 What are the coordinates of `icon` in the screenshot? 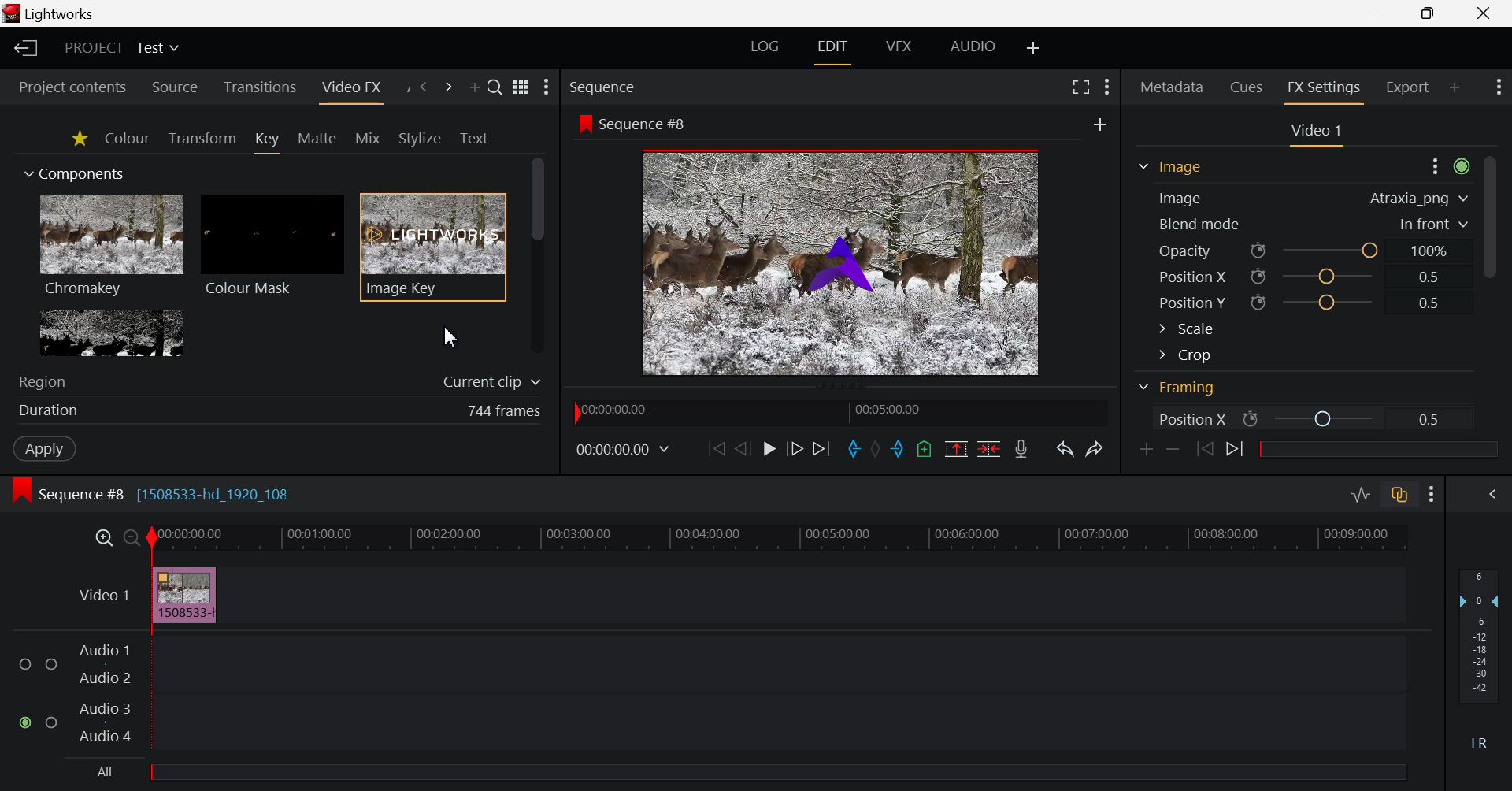 It's located at (1251, 418).